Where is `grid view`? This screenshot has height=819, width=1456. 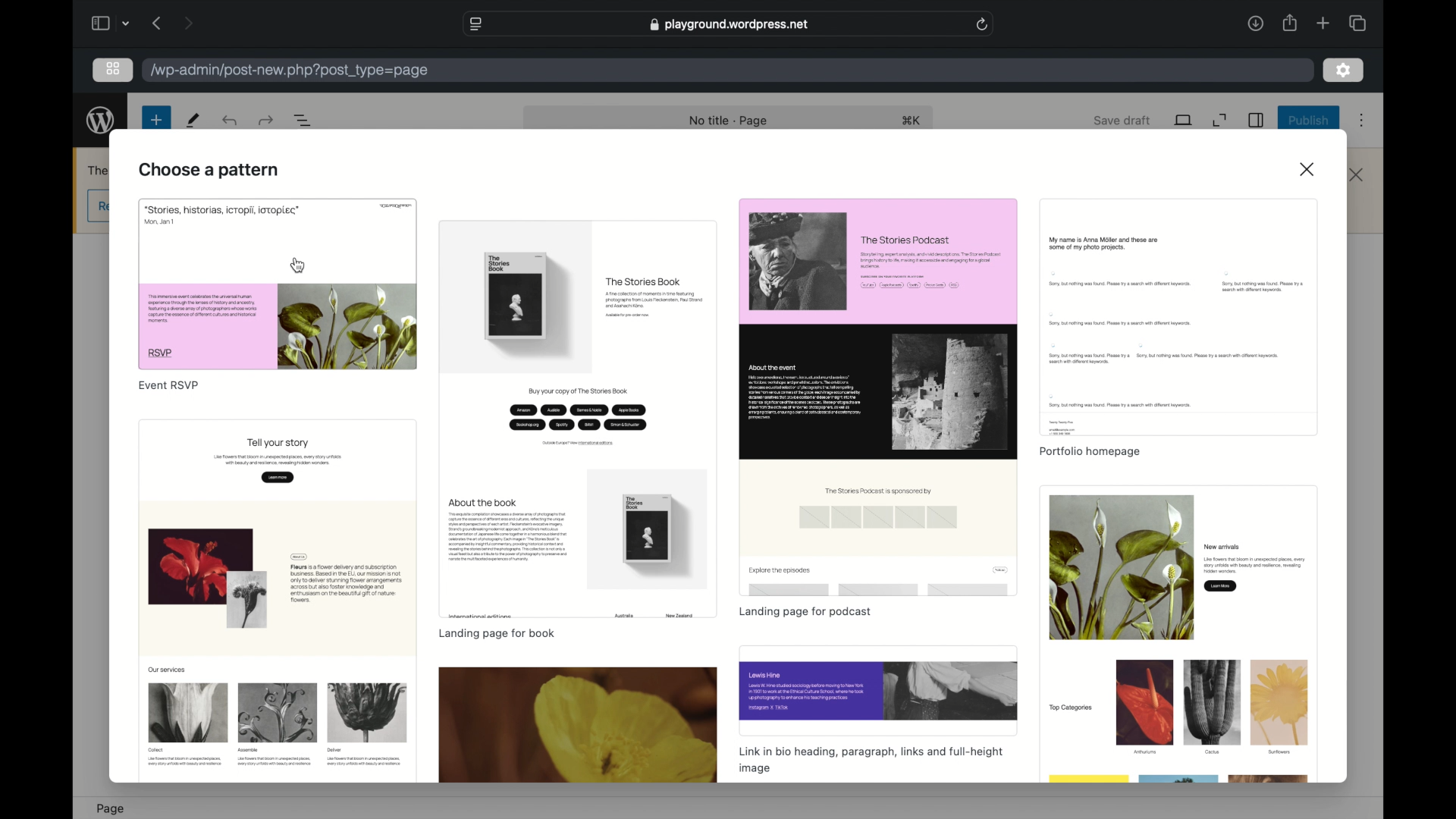
grid view is located at coordinates (112, 68).